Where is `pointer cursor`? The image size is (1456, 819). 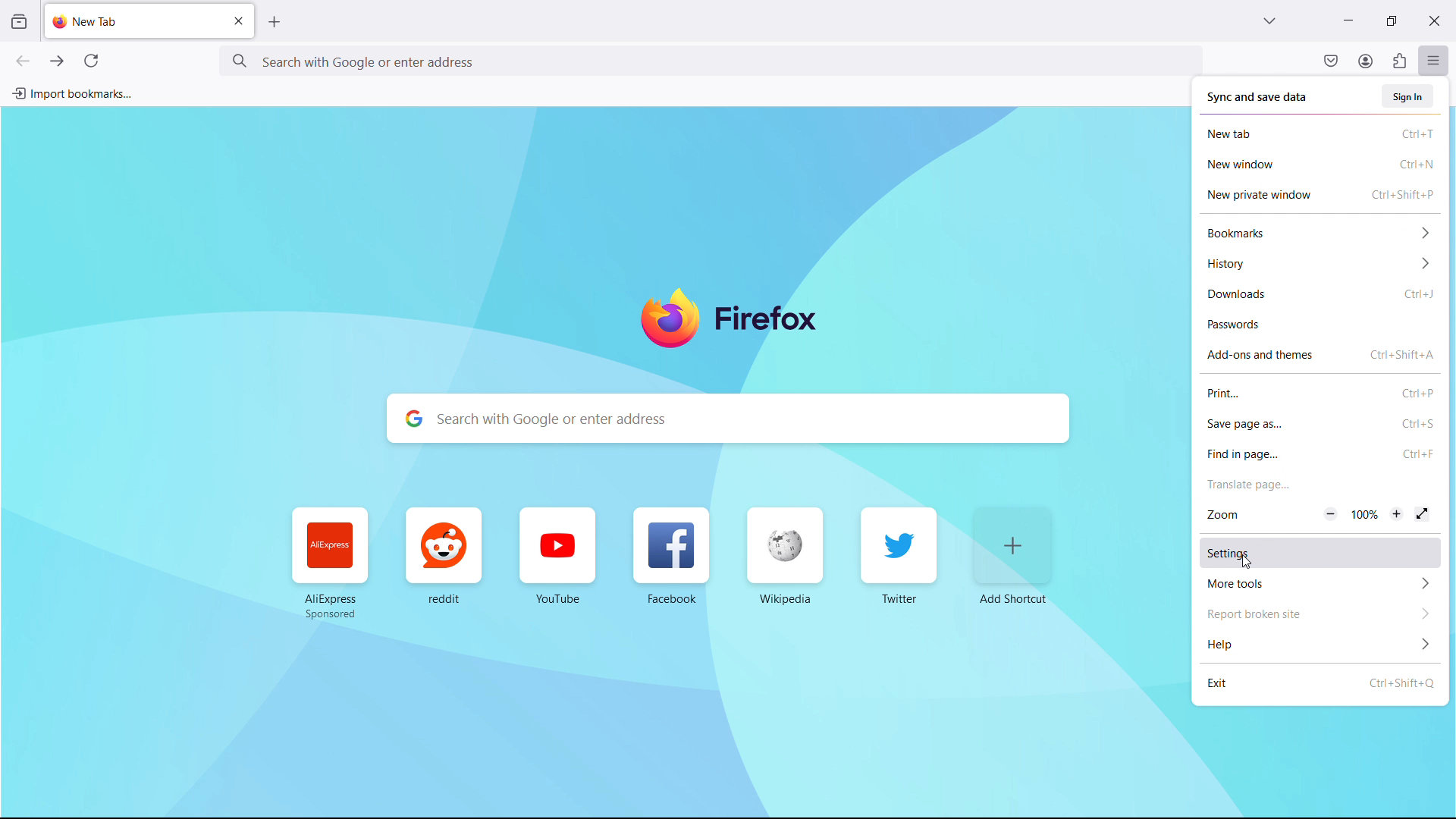 pointer cursor is located at coordinates (1244, 561).